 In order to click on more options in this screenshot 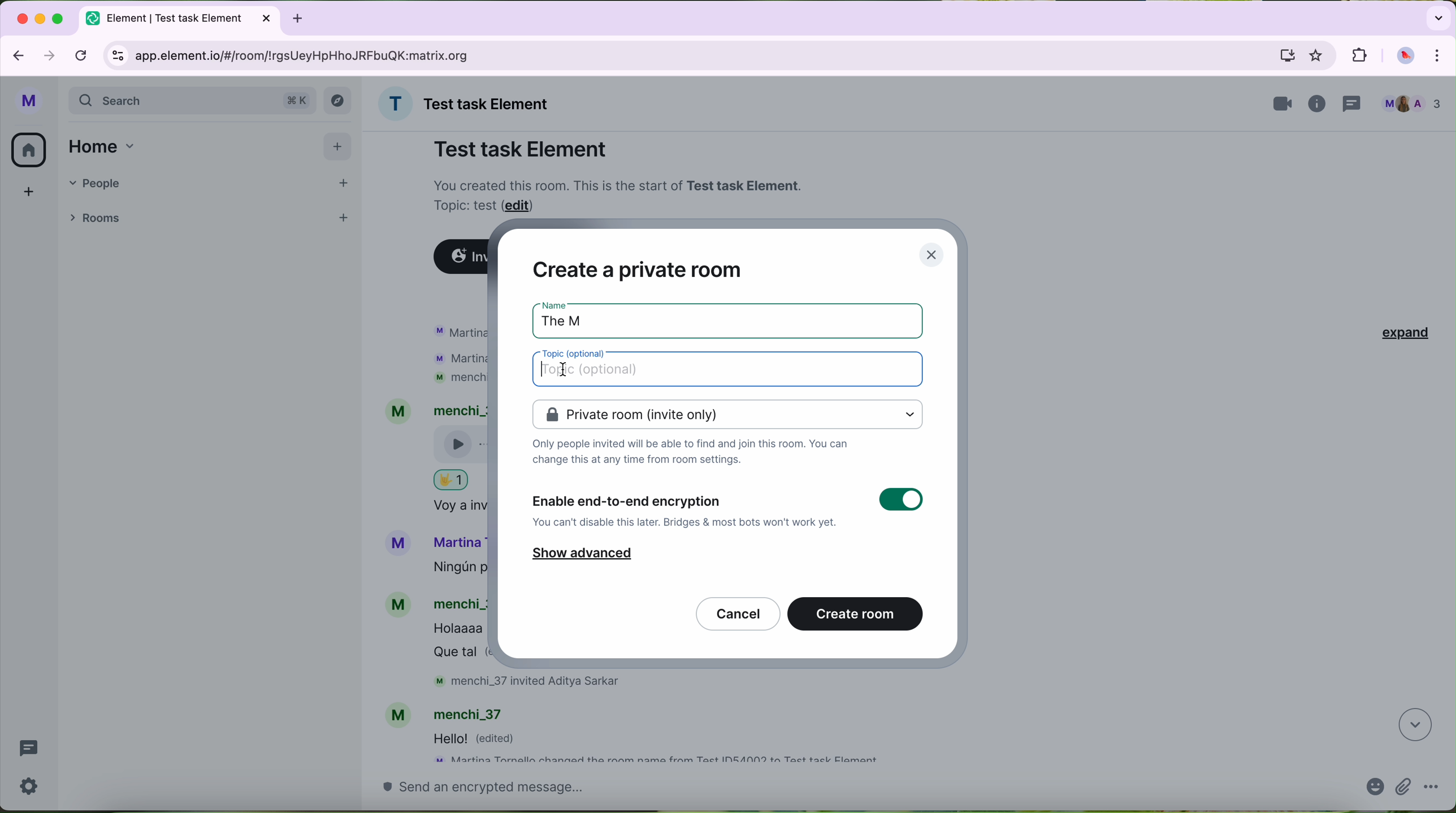, I will do `click(1432, 789)`.